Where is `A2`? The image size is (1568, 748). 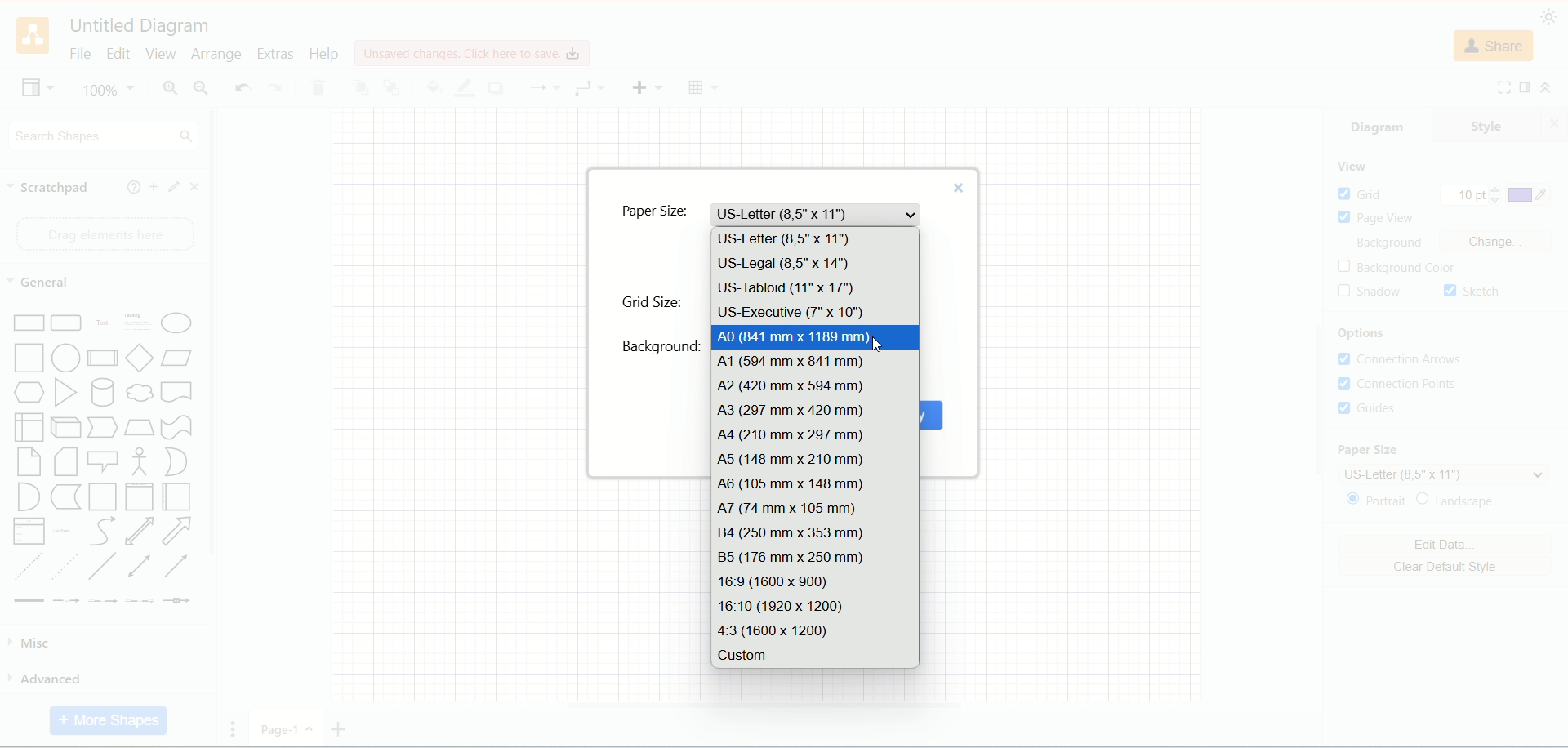 A2 is located at coordinates (813, 387).